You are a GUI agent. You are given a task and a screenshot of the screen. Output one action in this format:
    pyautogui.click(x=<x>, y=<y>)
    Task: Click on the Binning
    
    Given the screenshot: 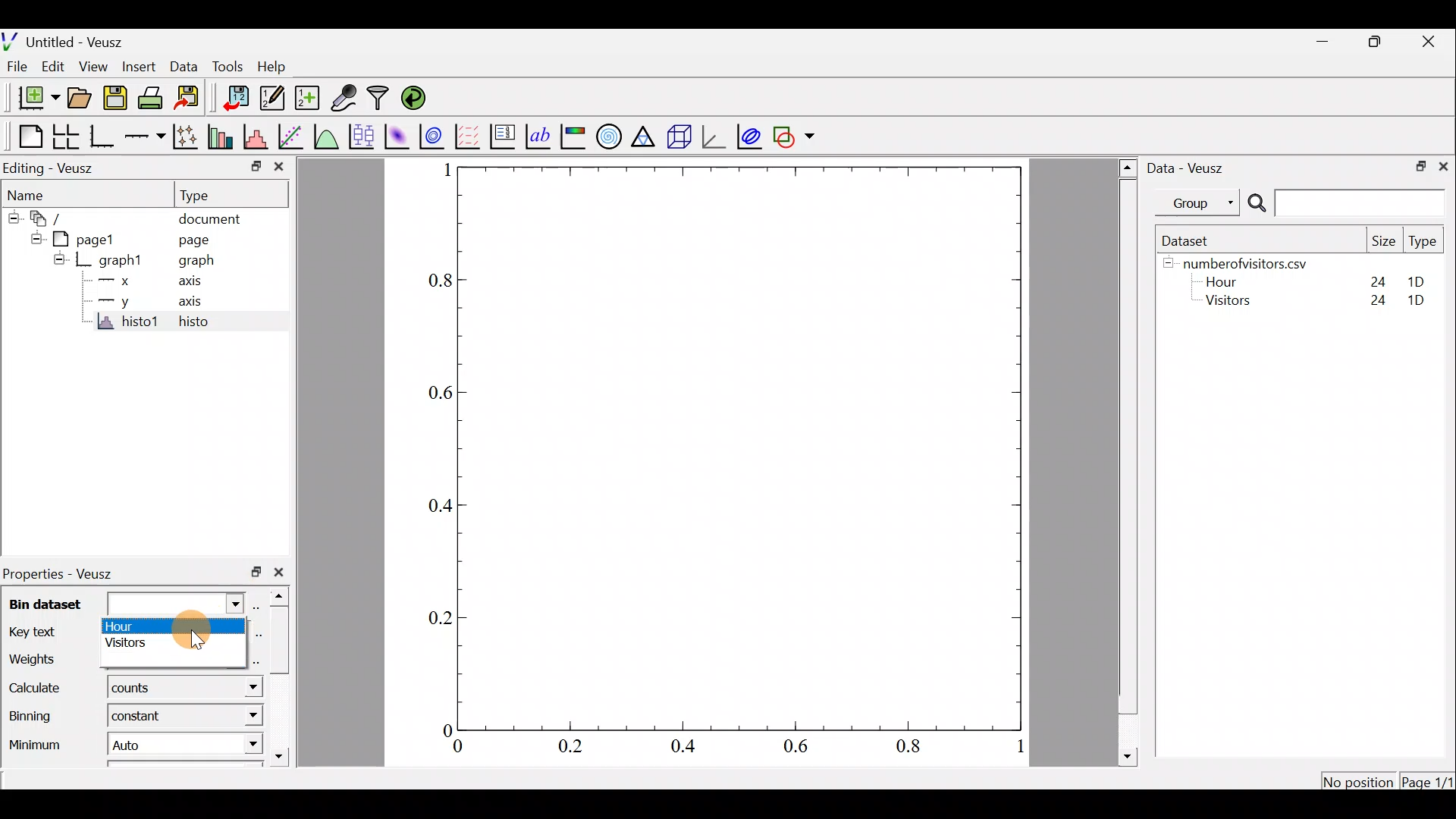 What is the action you would take?
    pyautogui.click(x=33, y=720)
    